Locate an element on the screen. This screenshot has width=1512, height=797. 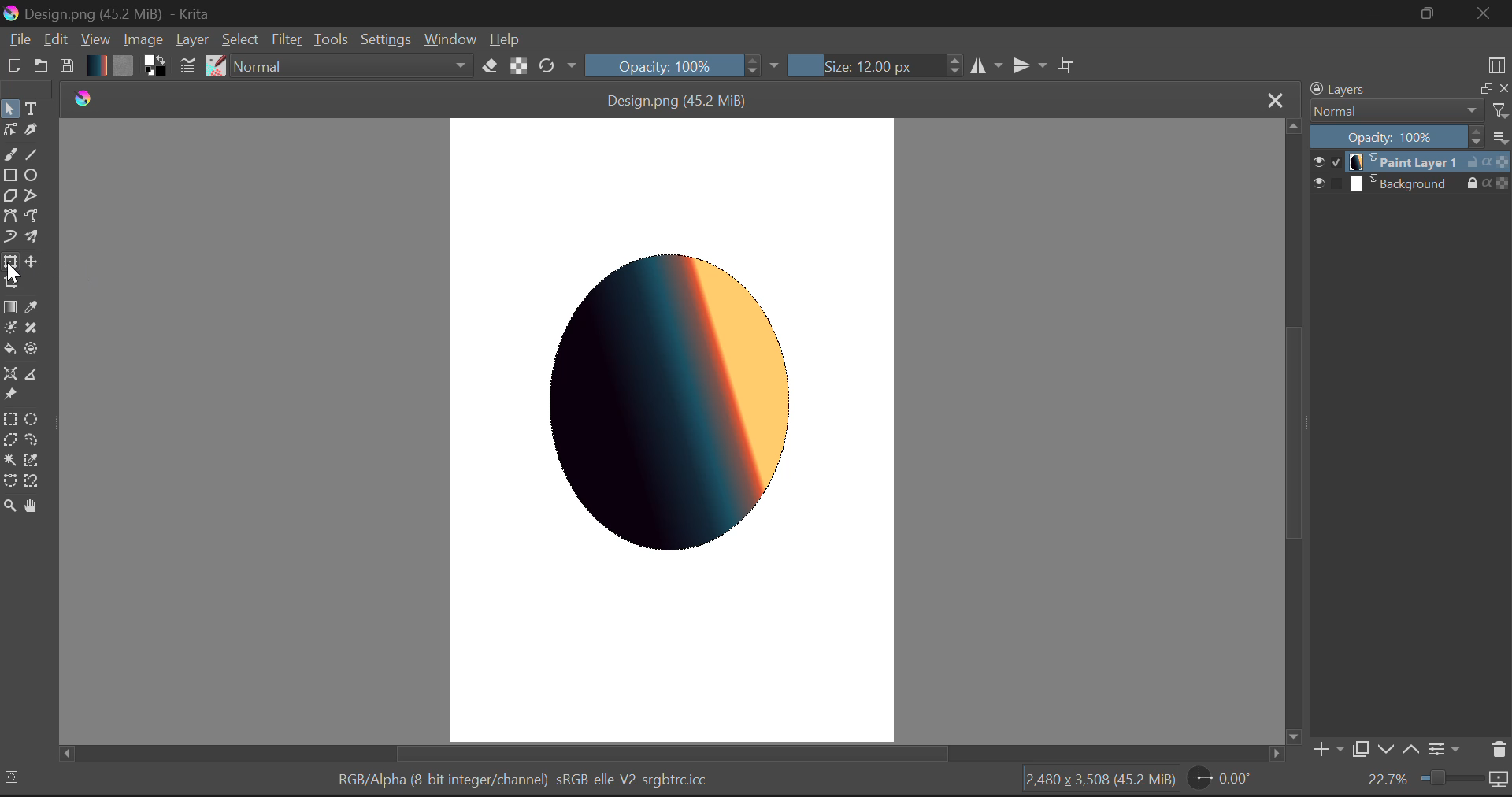
Krita Logo is located at coordinates (81, 98).